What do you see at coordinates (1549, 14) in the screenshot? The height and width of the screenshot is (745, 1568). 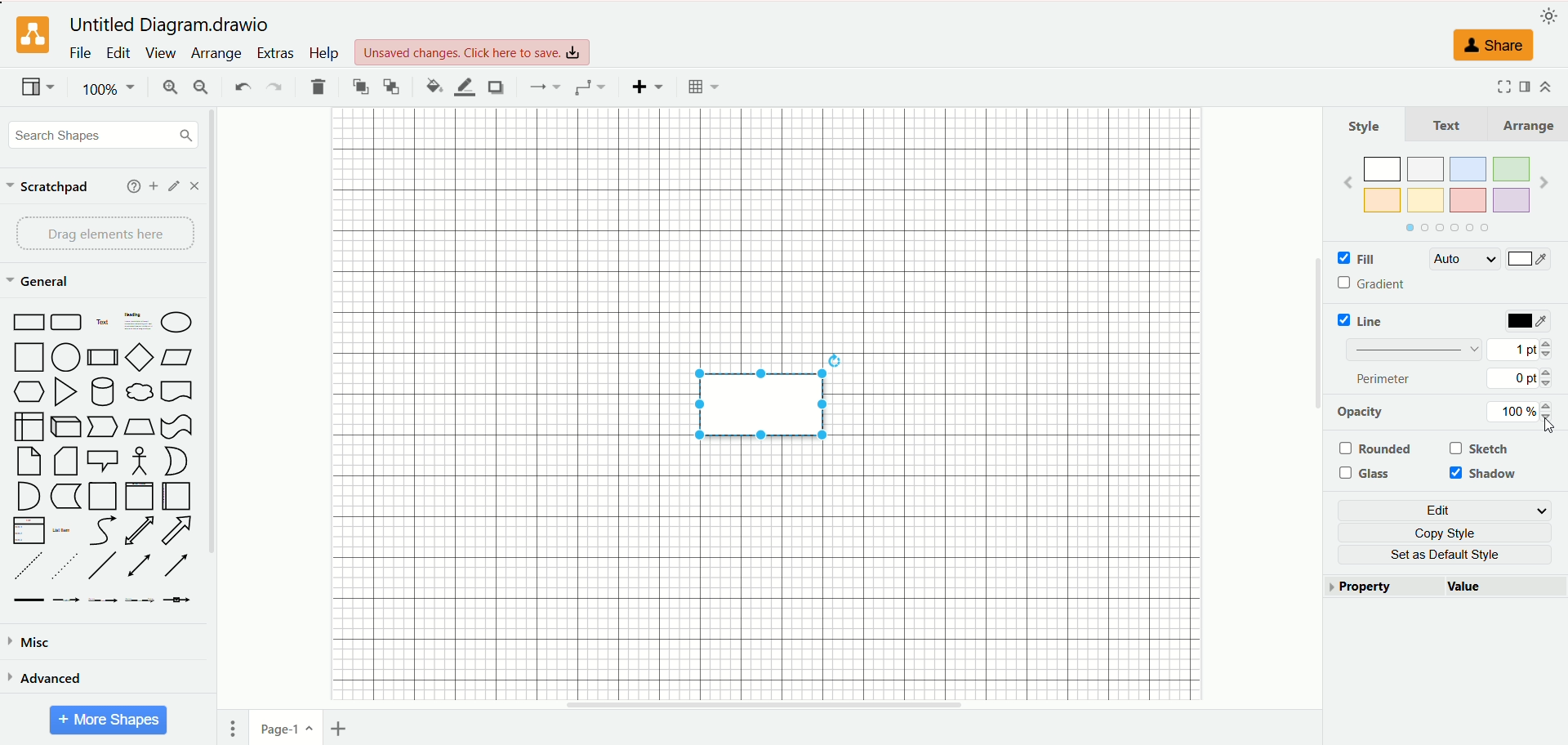 I see `appearance` at bounding box center [1549, 14].